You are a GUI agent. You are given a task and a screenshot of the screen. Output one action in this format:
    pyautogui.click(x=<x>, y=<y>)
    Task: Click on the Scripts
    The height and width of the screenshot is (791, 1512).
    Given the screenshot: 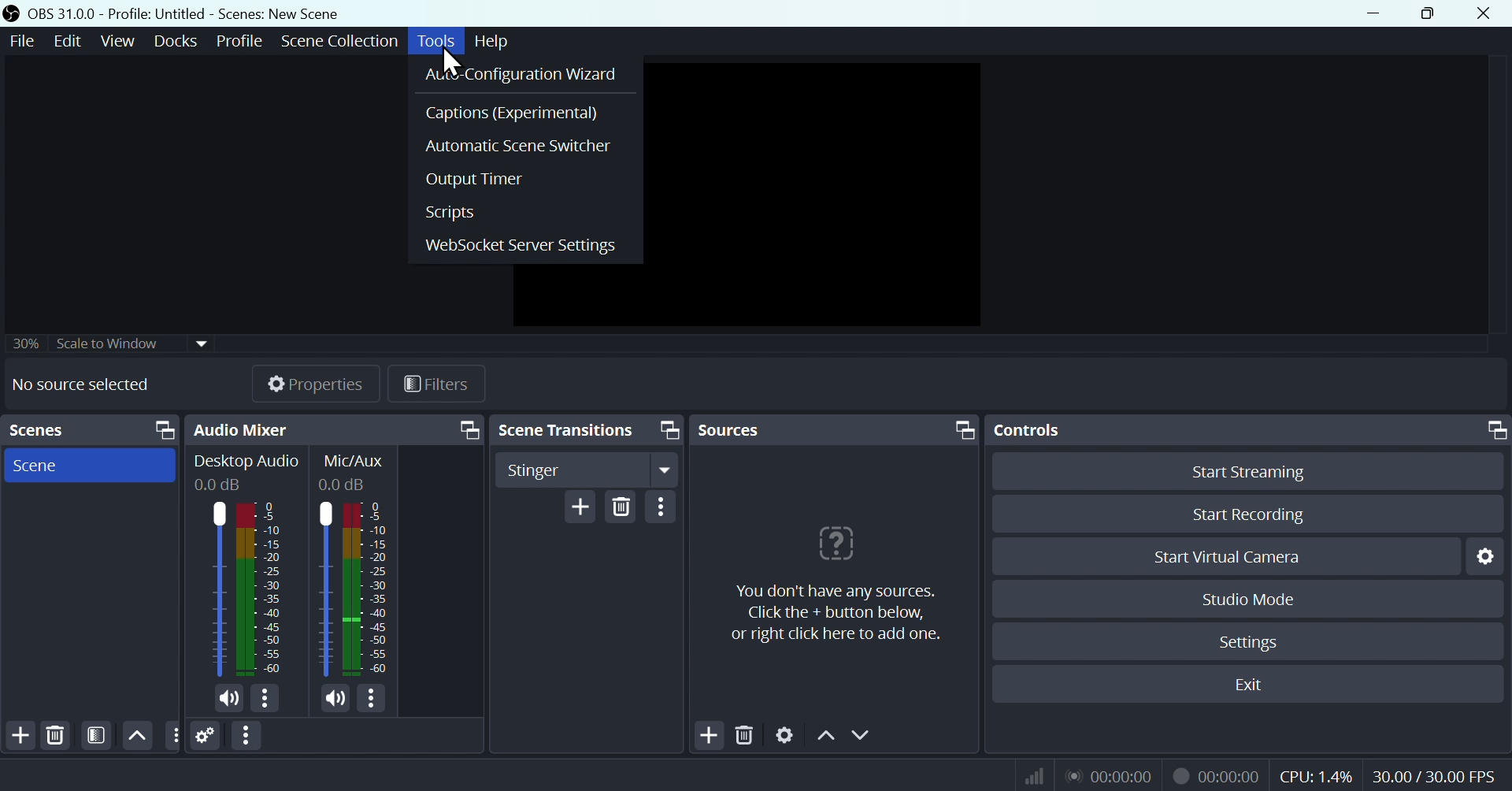 What is the action you would take?
    pyautogui.click(x=524, y=211)
    